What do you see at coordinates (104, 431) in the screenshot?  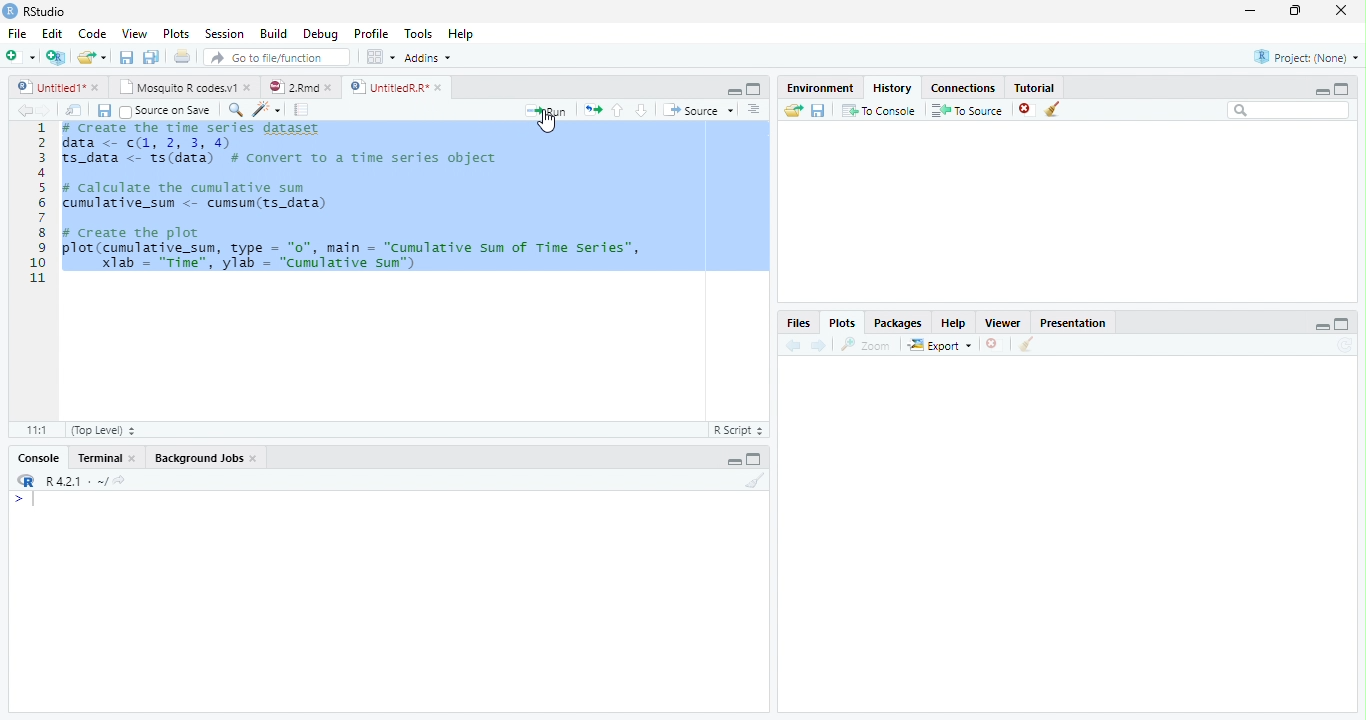 I see `Top level` at bounding box center [104, 431].